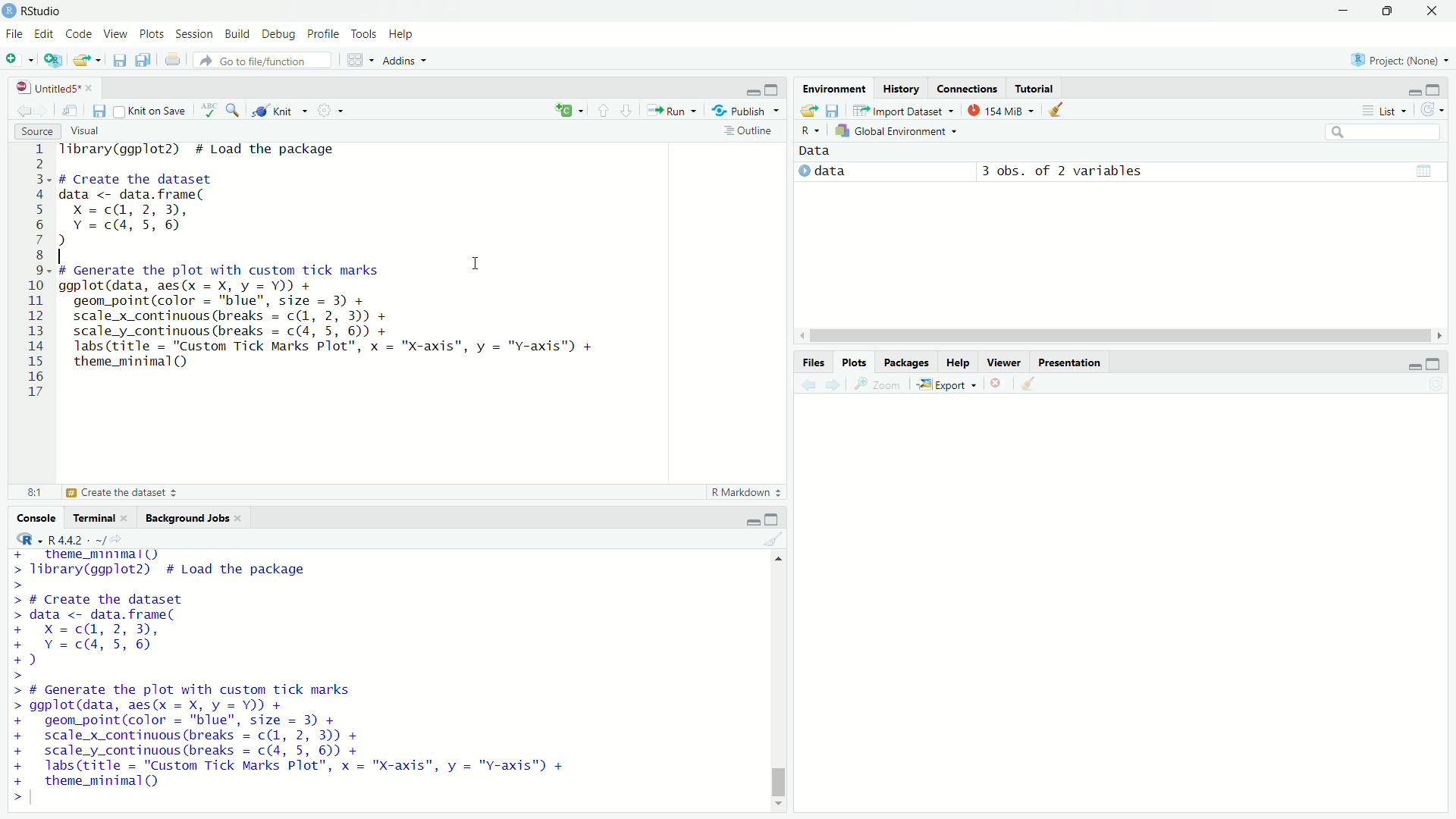 The image size is (1456, 819). What do you see at coordinates (127, 538) in the screenshot?
I see `view the current working directory` at bounding box center [127, 538].